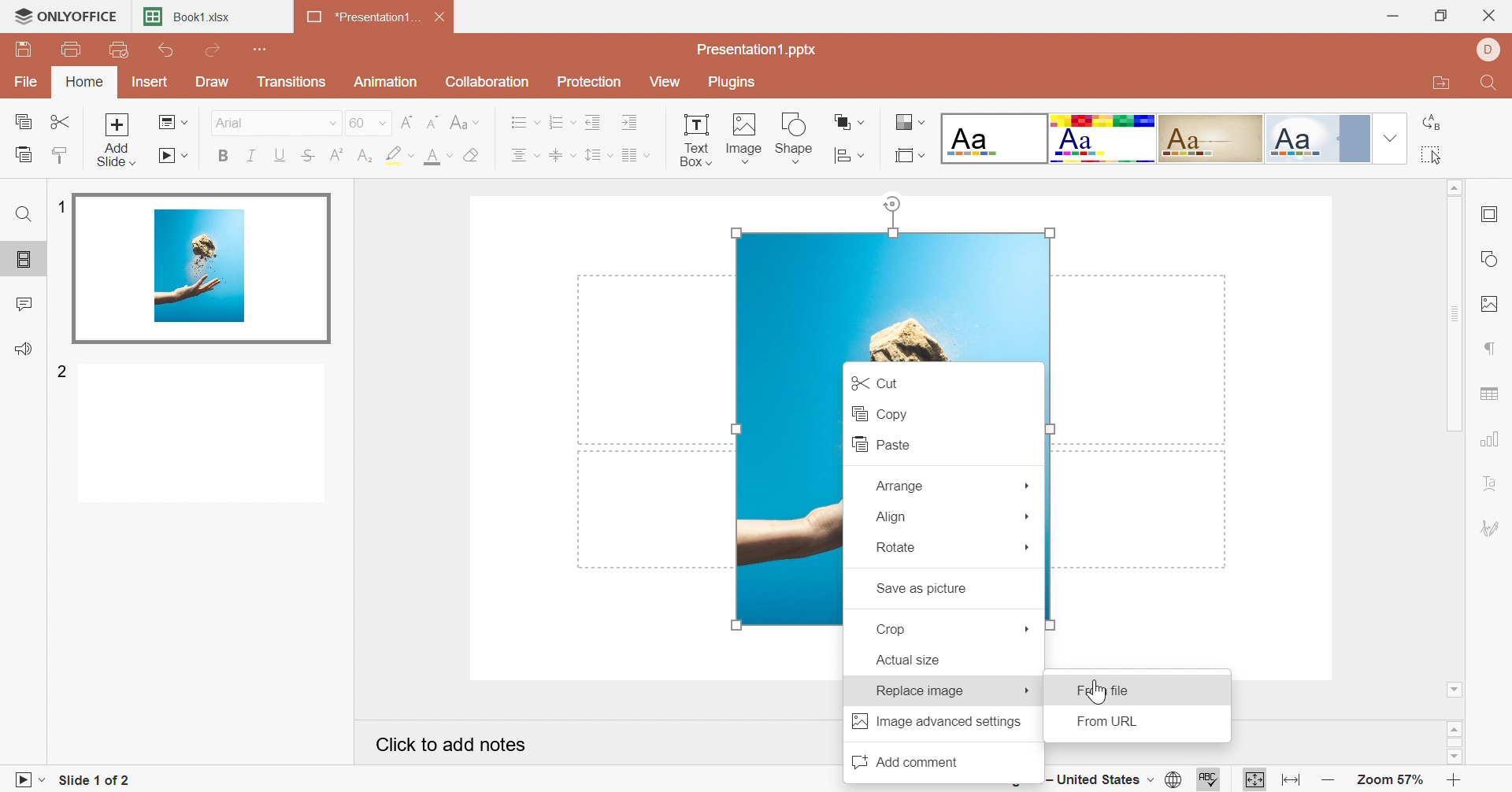 The image size is (1512, 792). What do you see at coordinates (24, 261) in the screenshot?
I see `Slides` at bounding box center [24, 261].